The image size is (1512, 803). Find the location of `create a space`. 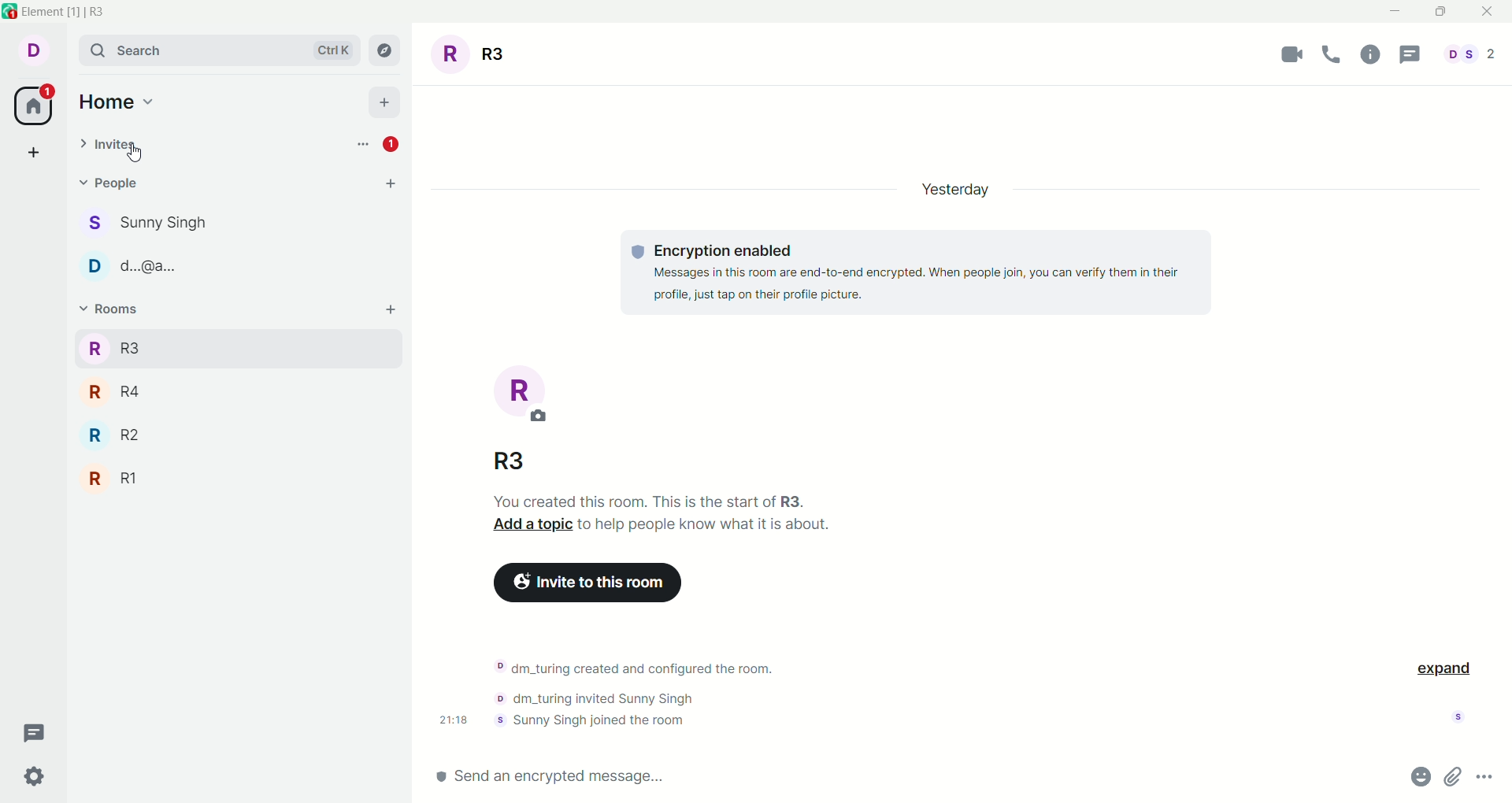

create a space is located at coordinates (35, 153).